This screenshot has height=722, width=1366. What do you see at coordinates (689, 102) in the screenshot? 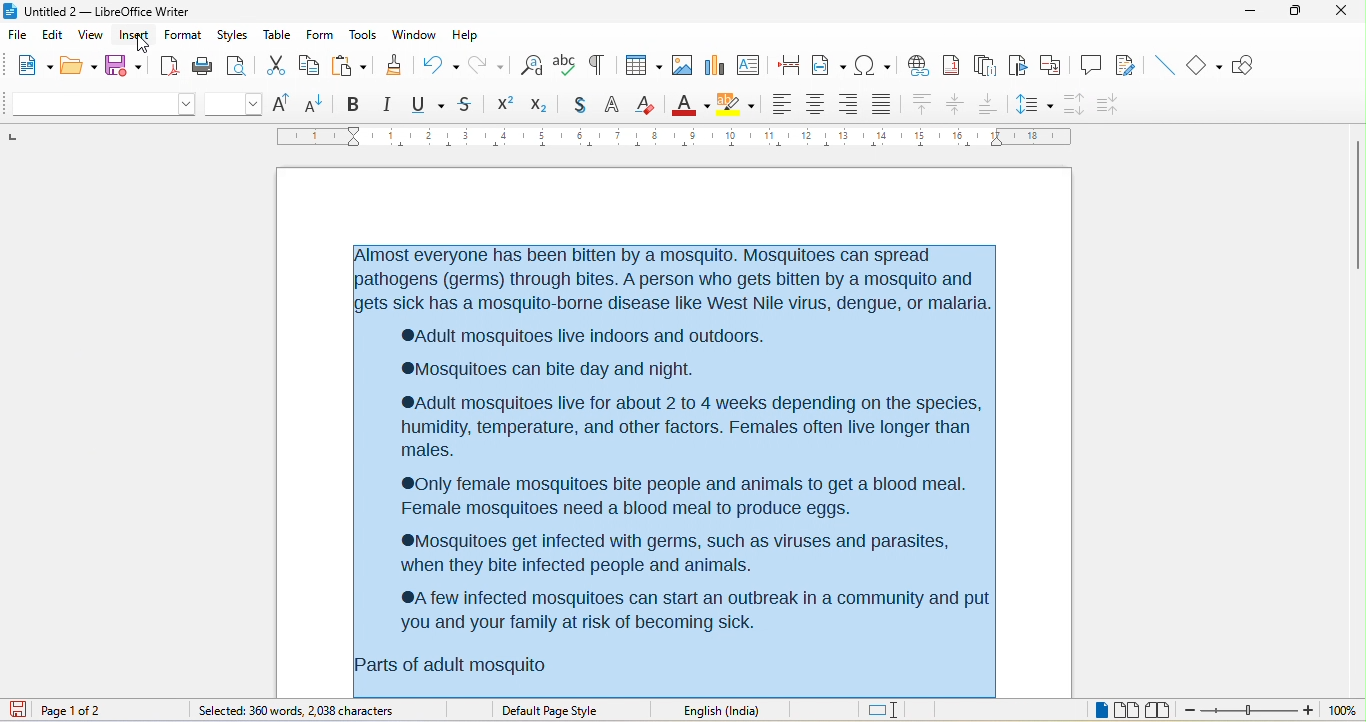
I see `font color` at bounding box center [689, 102].